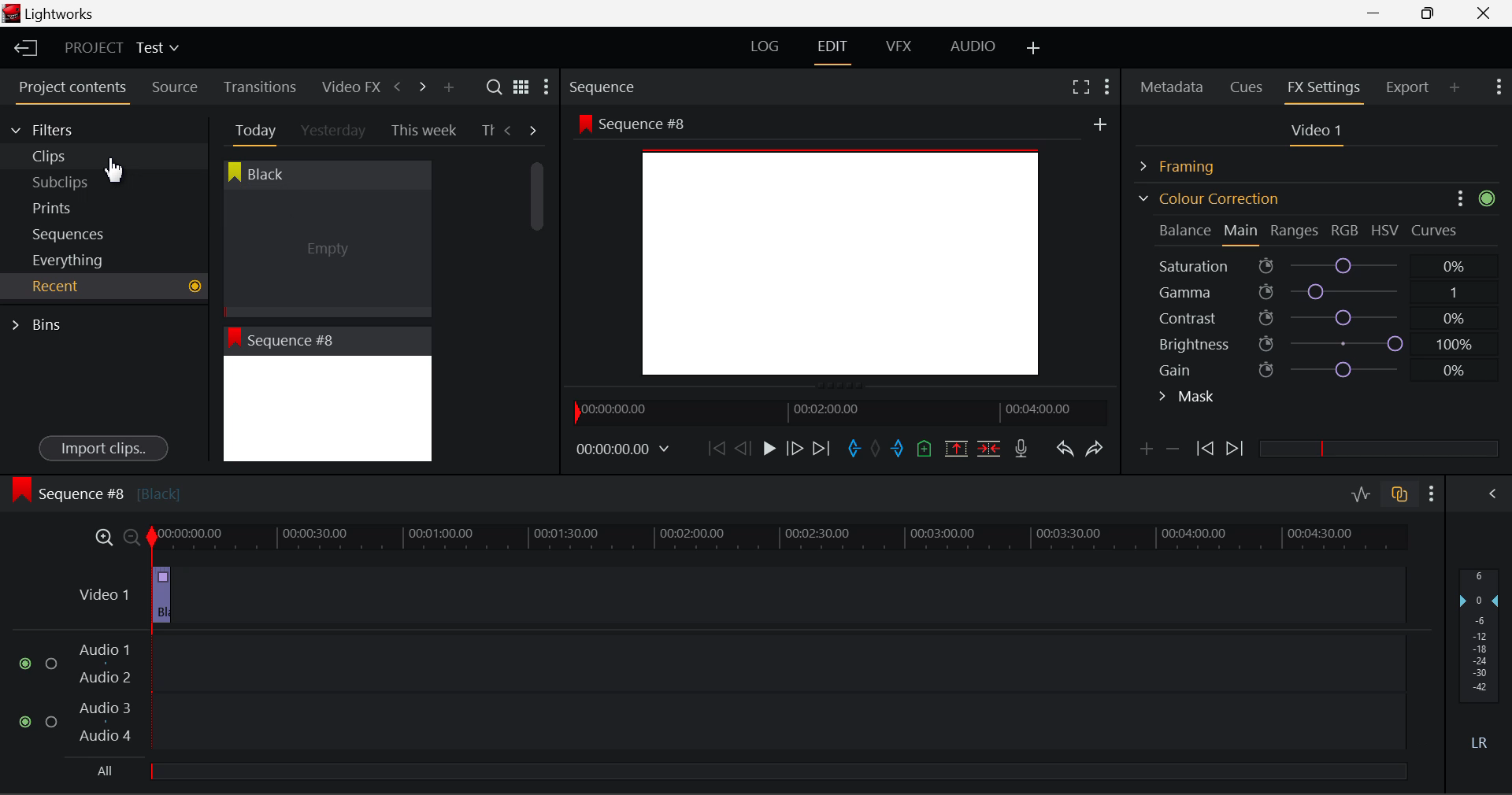  Describe the element at coordinates (420, 86) in the screenshot. I see `Next Panel` at that location.